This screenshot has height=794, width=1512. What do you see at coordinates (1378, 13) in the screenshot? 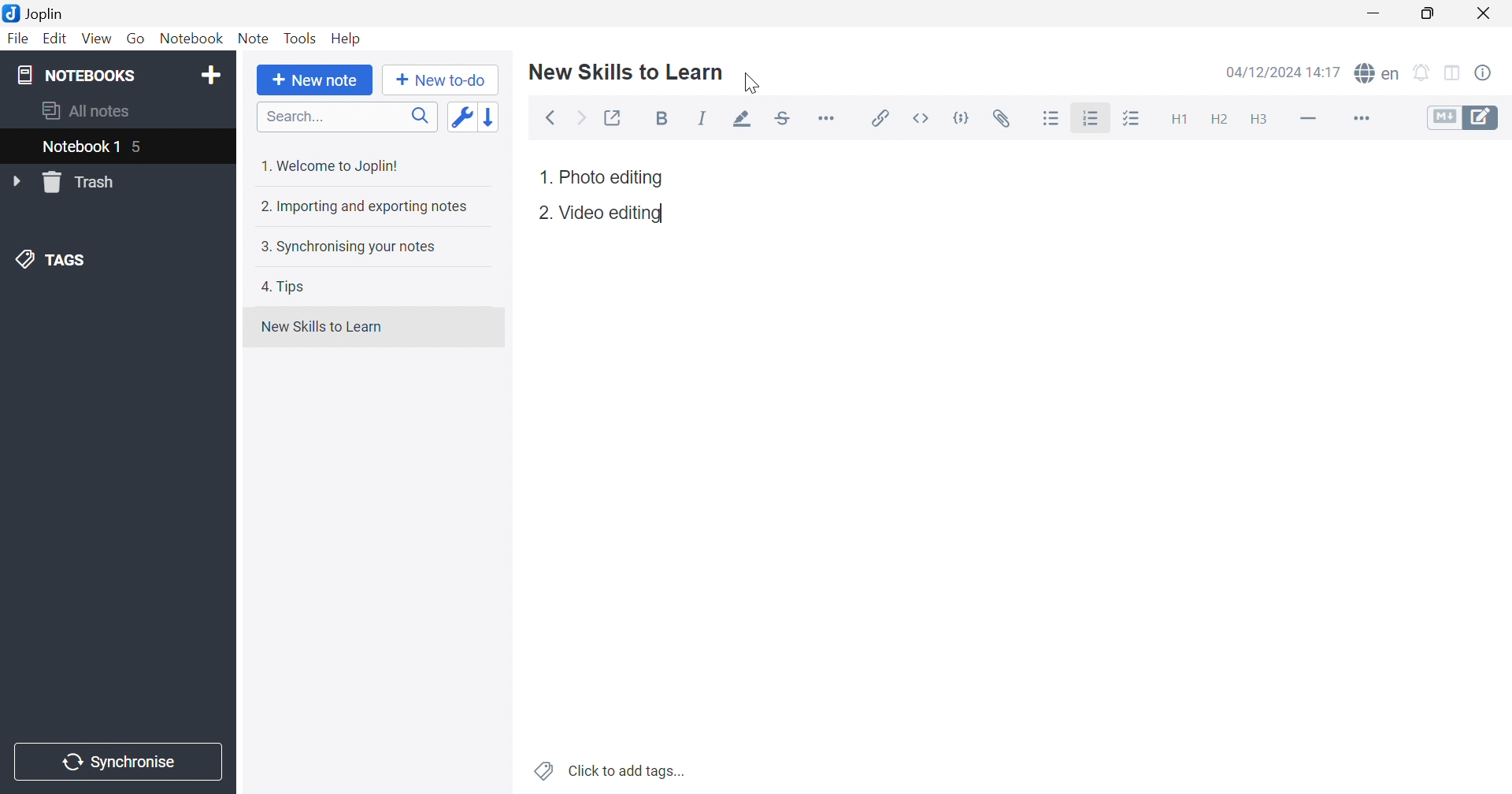
I see `Minimize` at bounding box center [1378, 13].